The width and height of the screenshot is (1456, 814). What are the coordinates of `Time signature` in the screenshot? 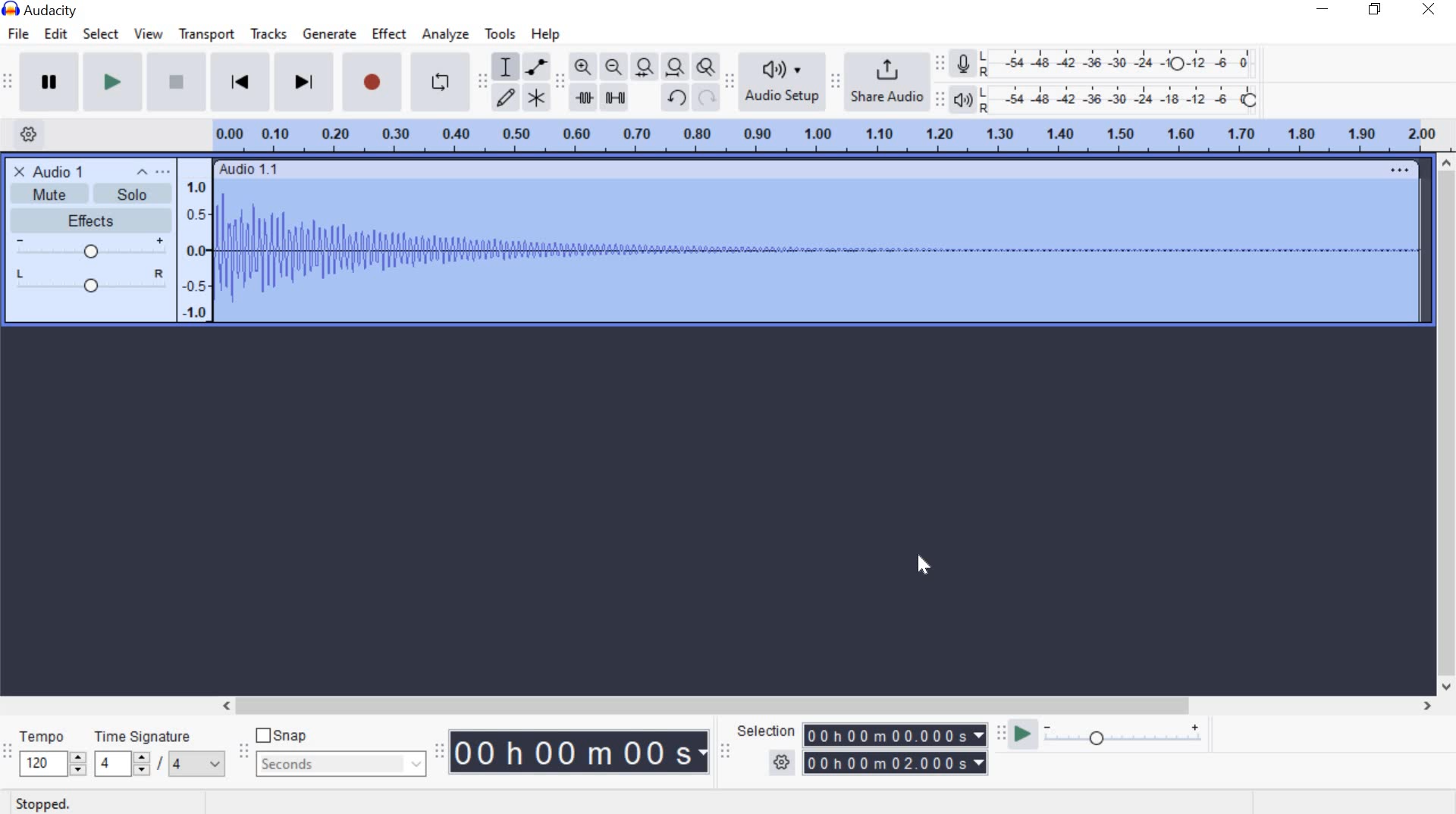 It's located at (161, 756).